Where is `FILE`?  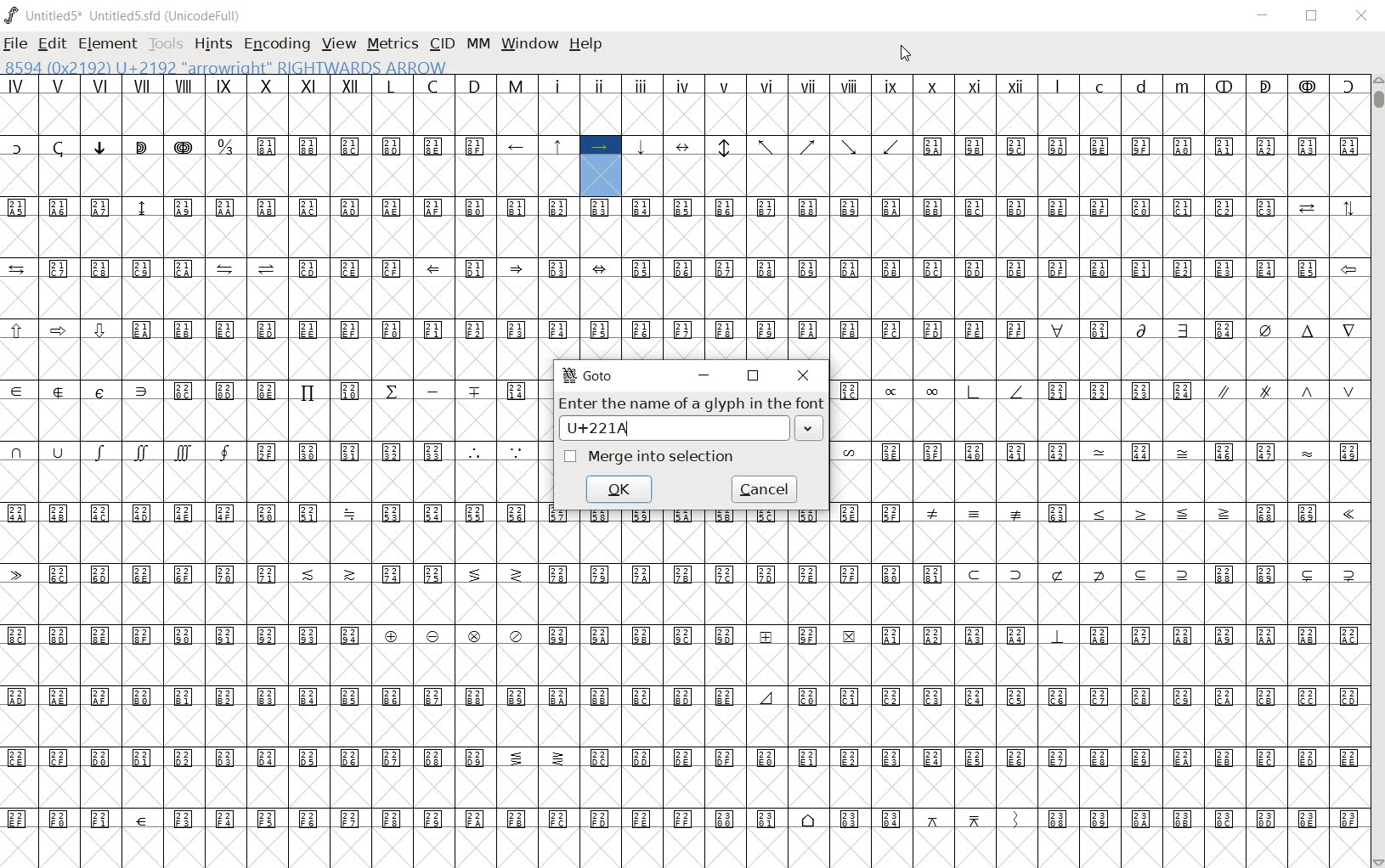 FILE is located at coordinates (15, 46).